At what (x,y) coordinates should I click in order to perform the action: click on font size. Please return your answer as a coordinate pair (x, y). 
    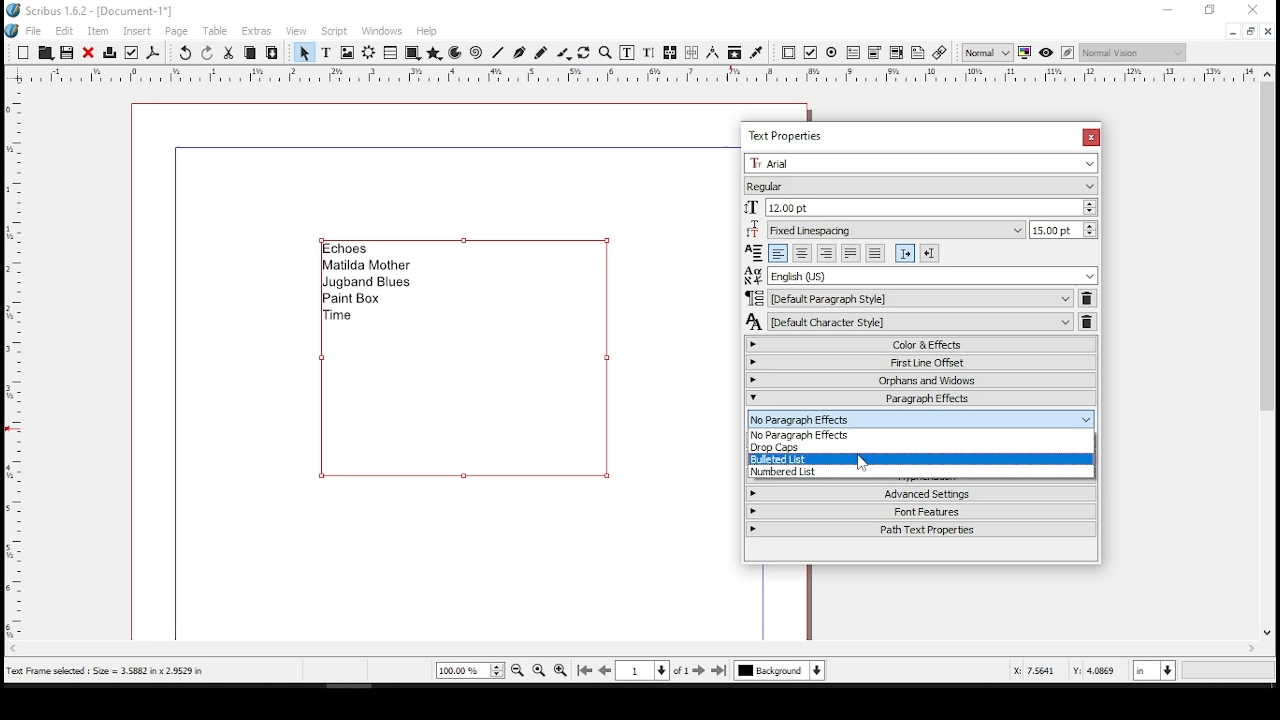
    Looking at the image, I should click on (922, 207).